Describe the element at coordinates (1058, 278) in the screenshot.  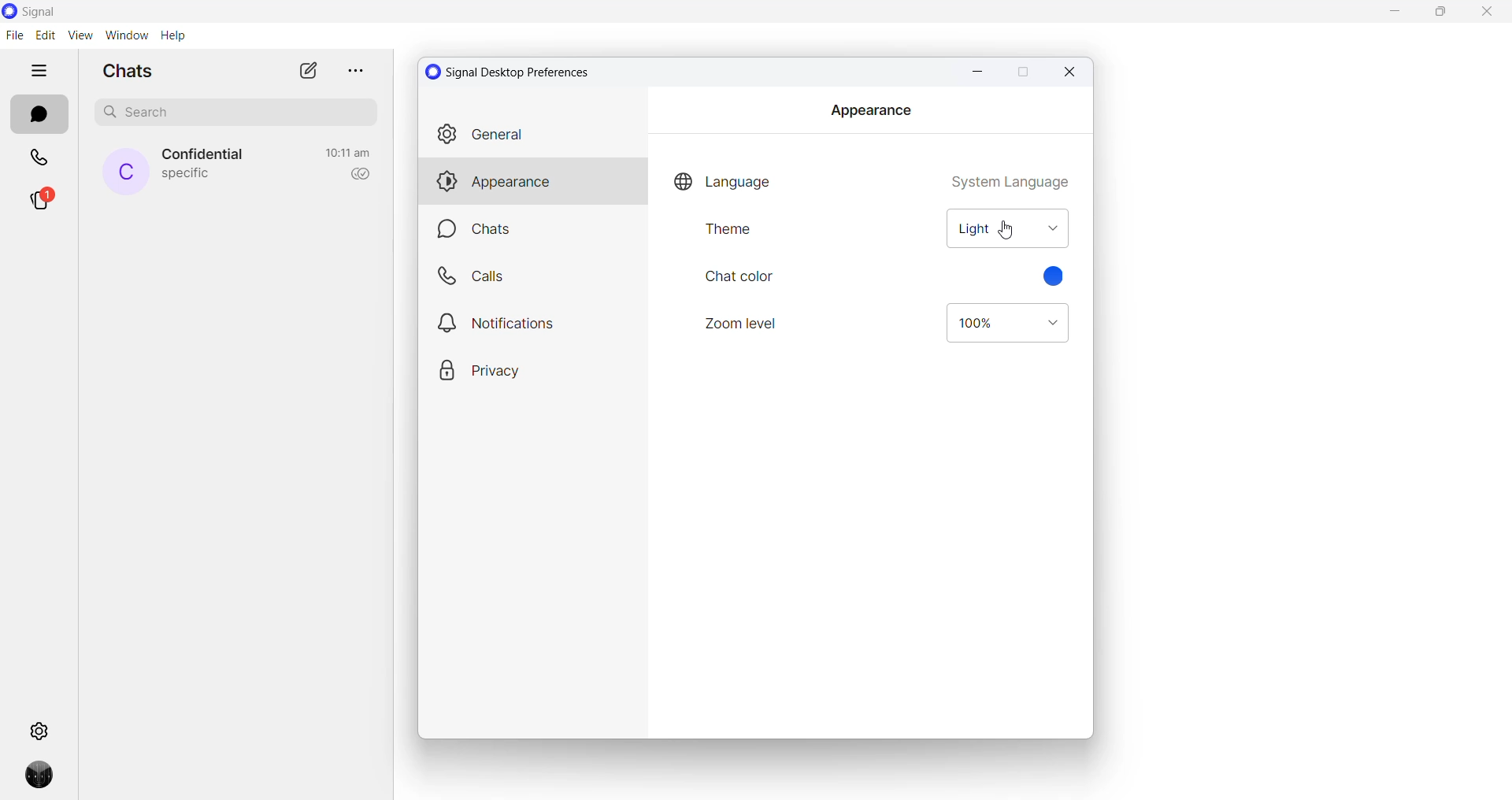
I see `chat color options` at that location.